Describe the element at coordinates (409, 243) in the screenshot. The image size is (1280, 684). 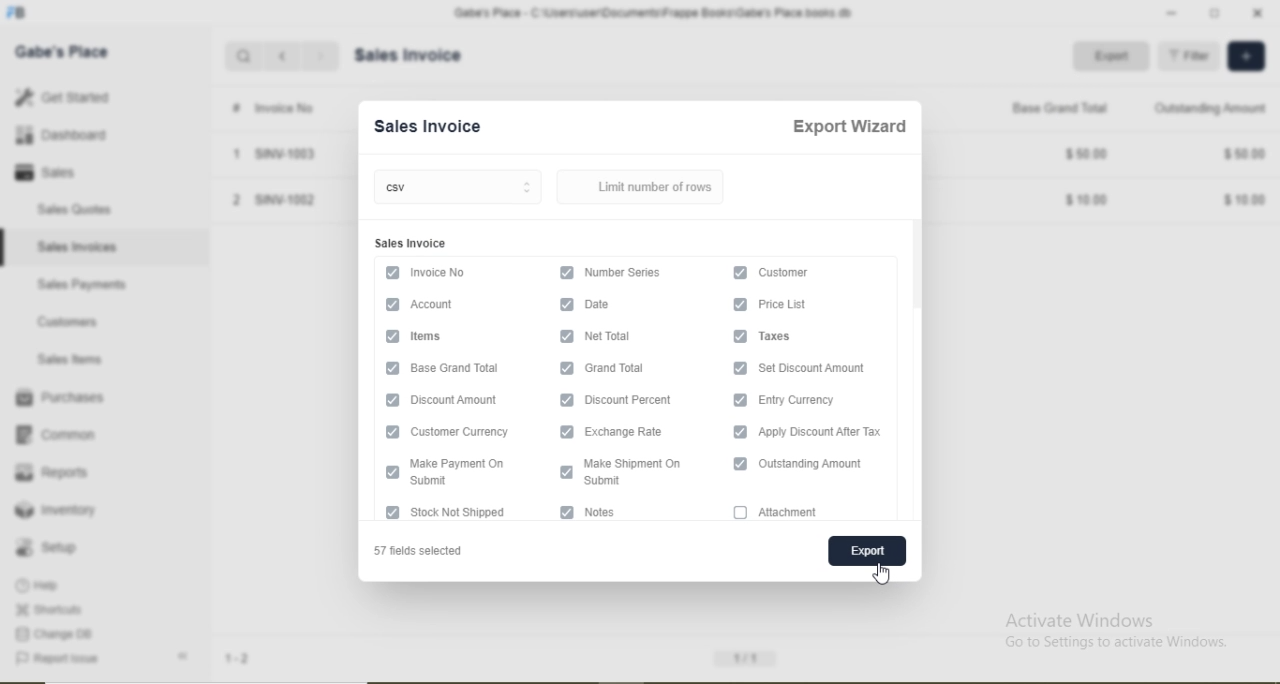
I see `Sales Invoice` at that location.